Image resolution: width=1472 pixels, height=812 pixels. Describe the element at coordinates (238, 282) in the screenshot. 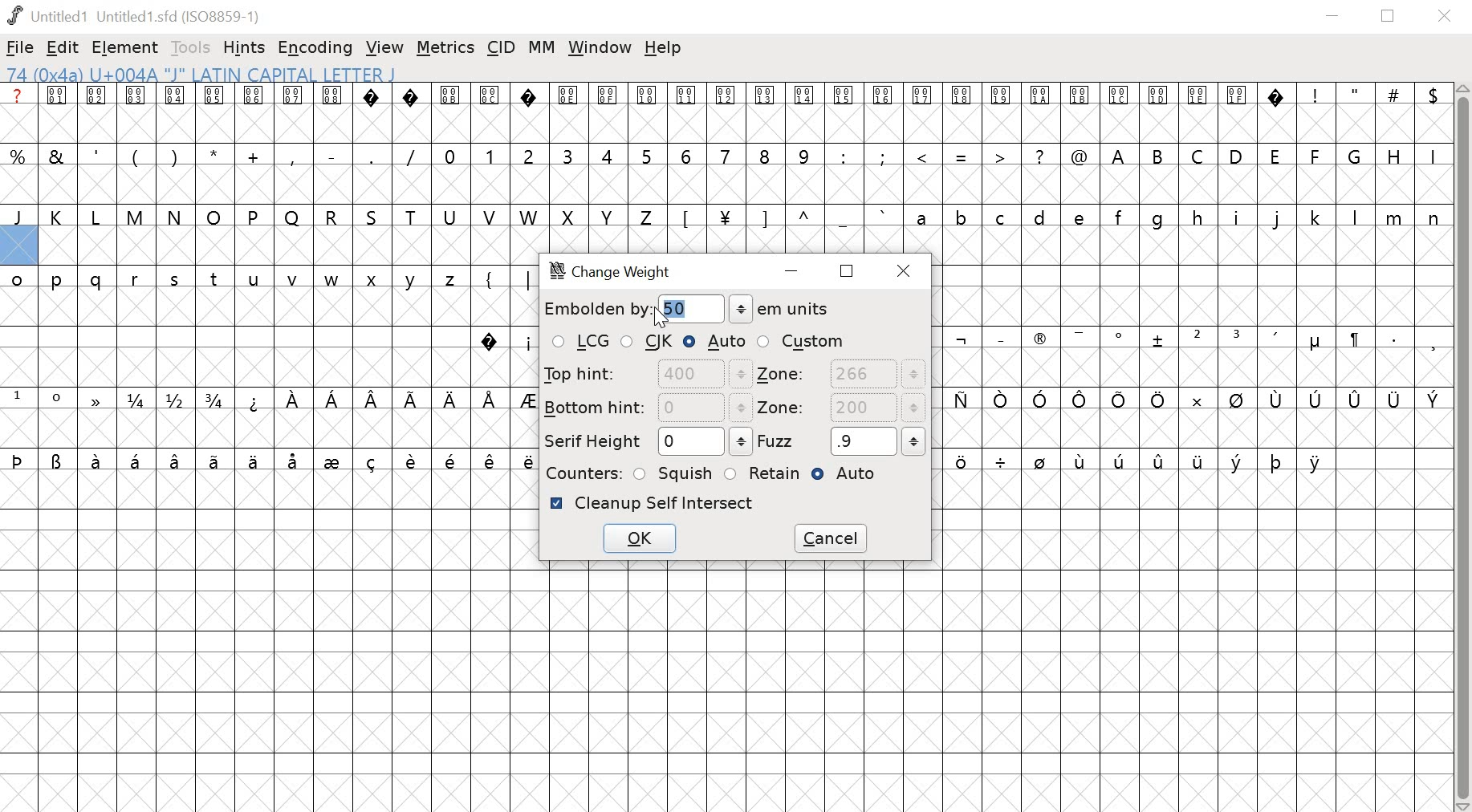

I see `lowercase letters` at that location.